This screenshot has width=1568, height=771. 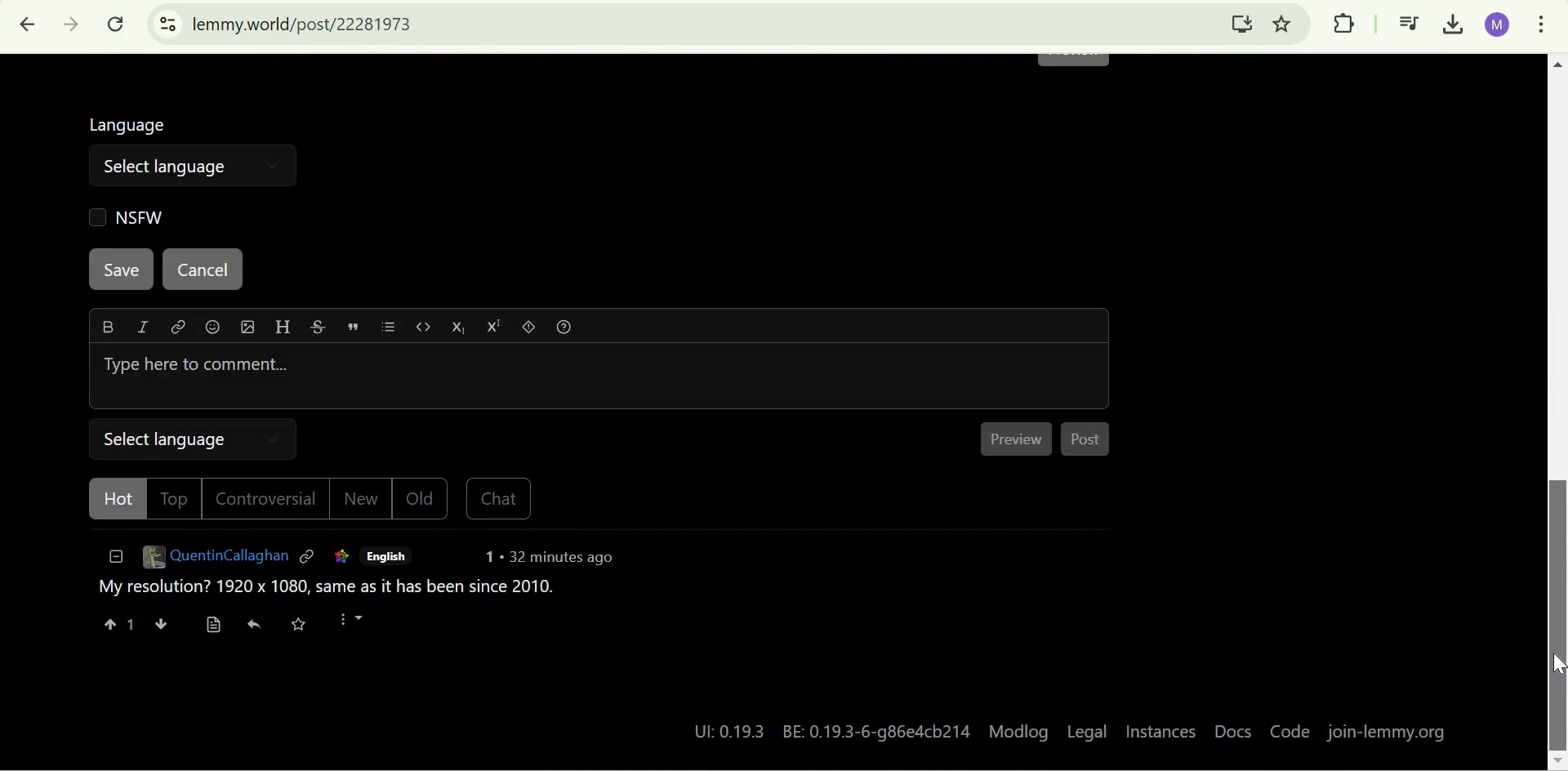 I want to click on view source, so click(x=213, y=626).